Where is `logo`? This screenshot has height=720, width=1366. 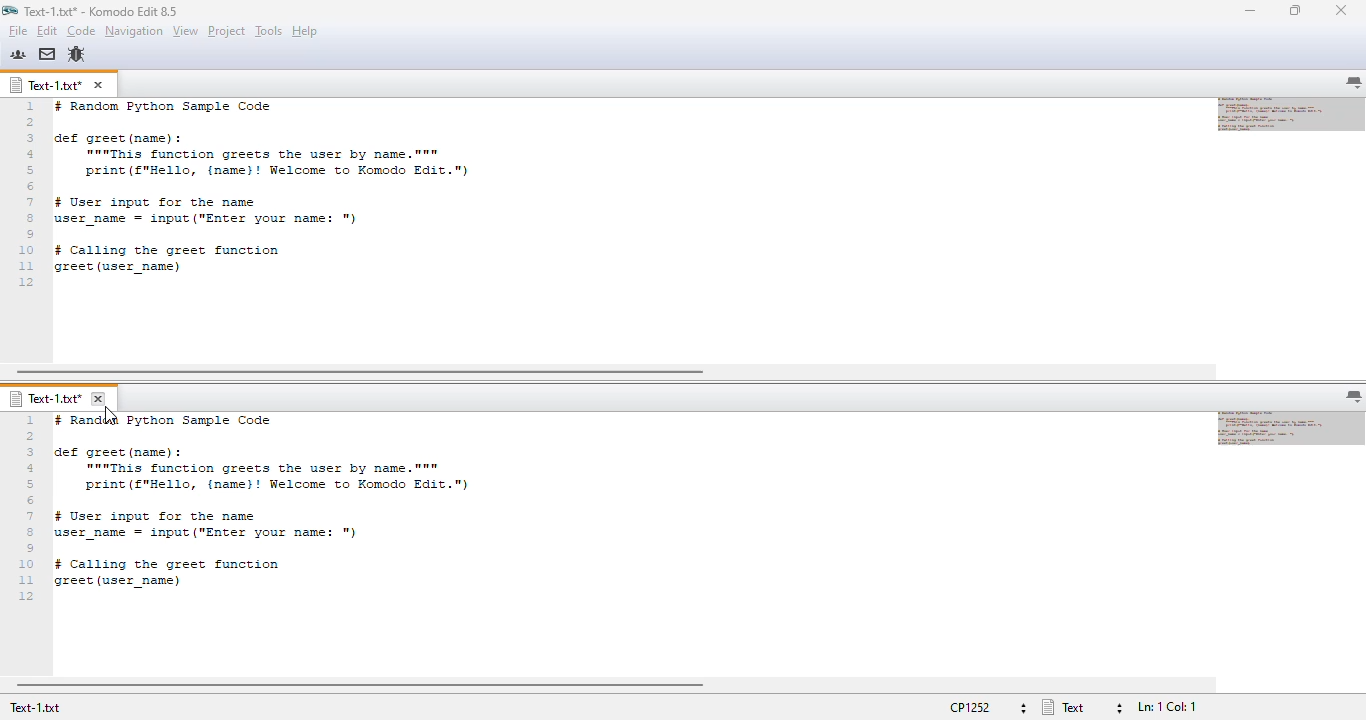
logo is located at coordinates (9, 10).